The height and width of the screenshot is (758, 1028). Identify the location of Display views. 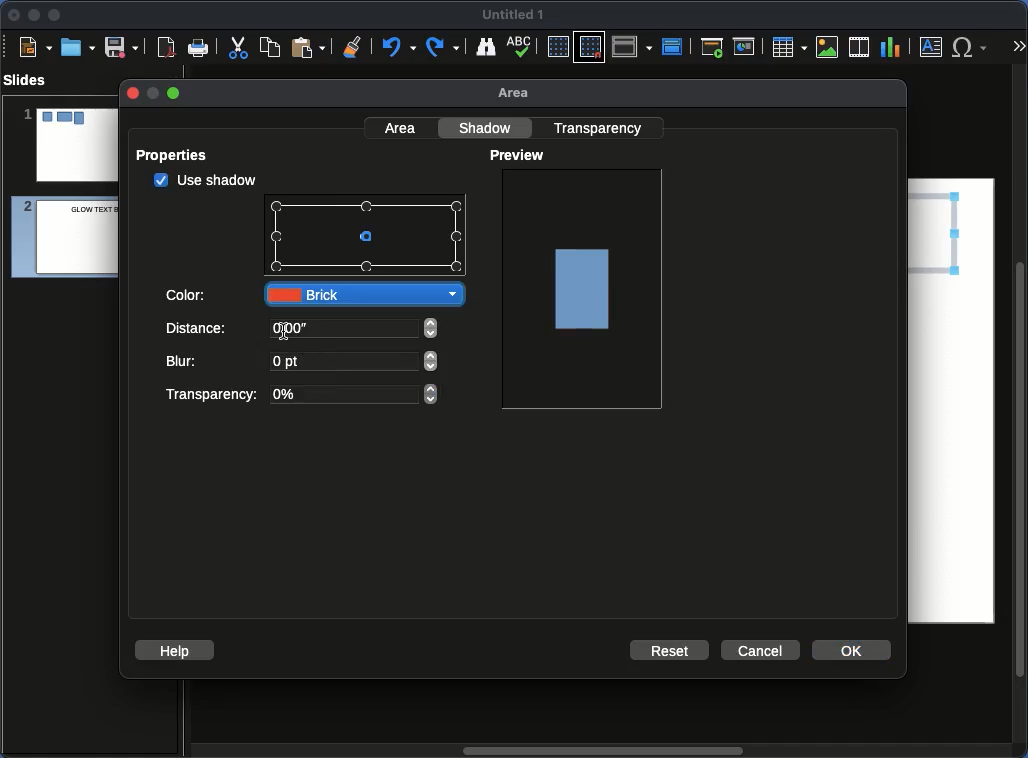
(635, 45).